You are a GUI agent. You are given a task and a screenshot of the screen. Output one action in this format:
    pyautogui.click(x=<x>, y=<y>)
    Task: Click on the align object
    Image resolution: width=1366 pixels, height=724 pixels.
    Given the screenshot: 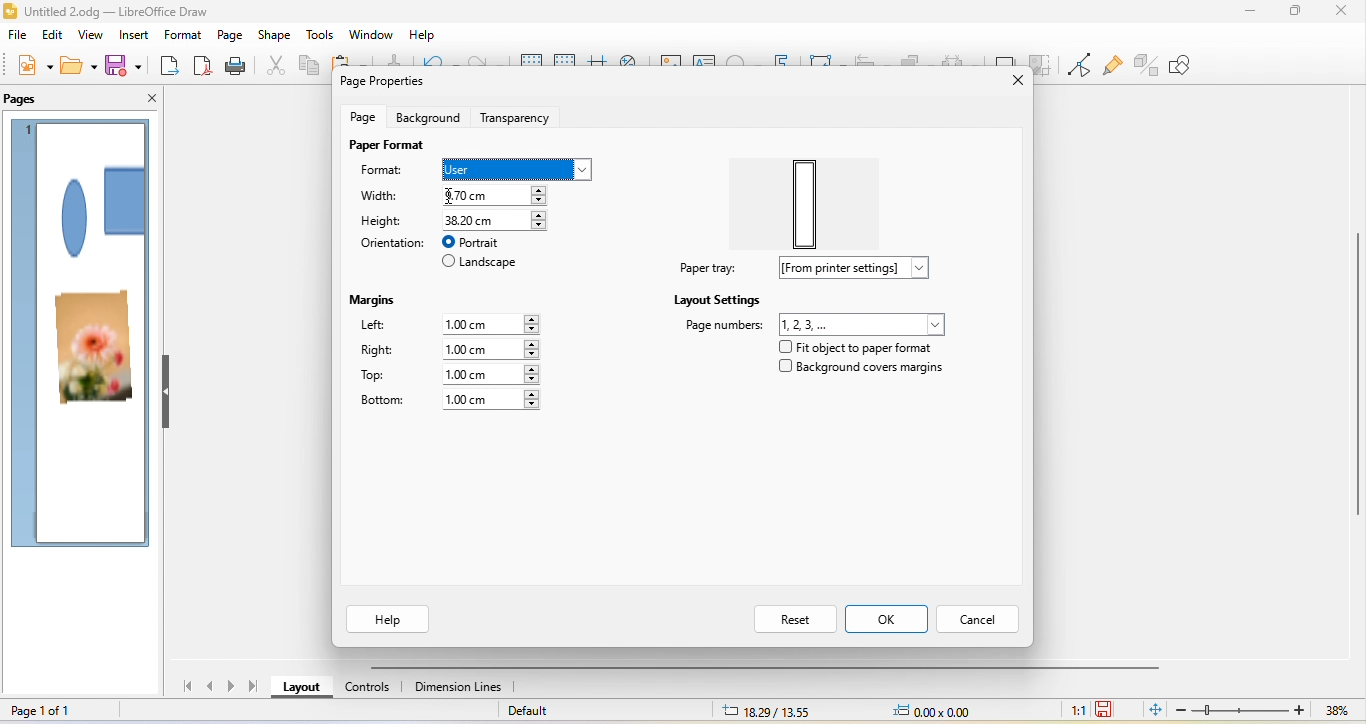 What is the action you would take?
    pyautogui.click(x=872, y=63)
    